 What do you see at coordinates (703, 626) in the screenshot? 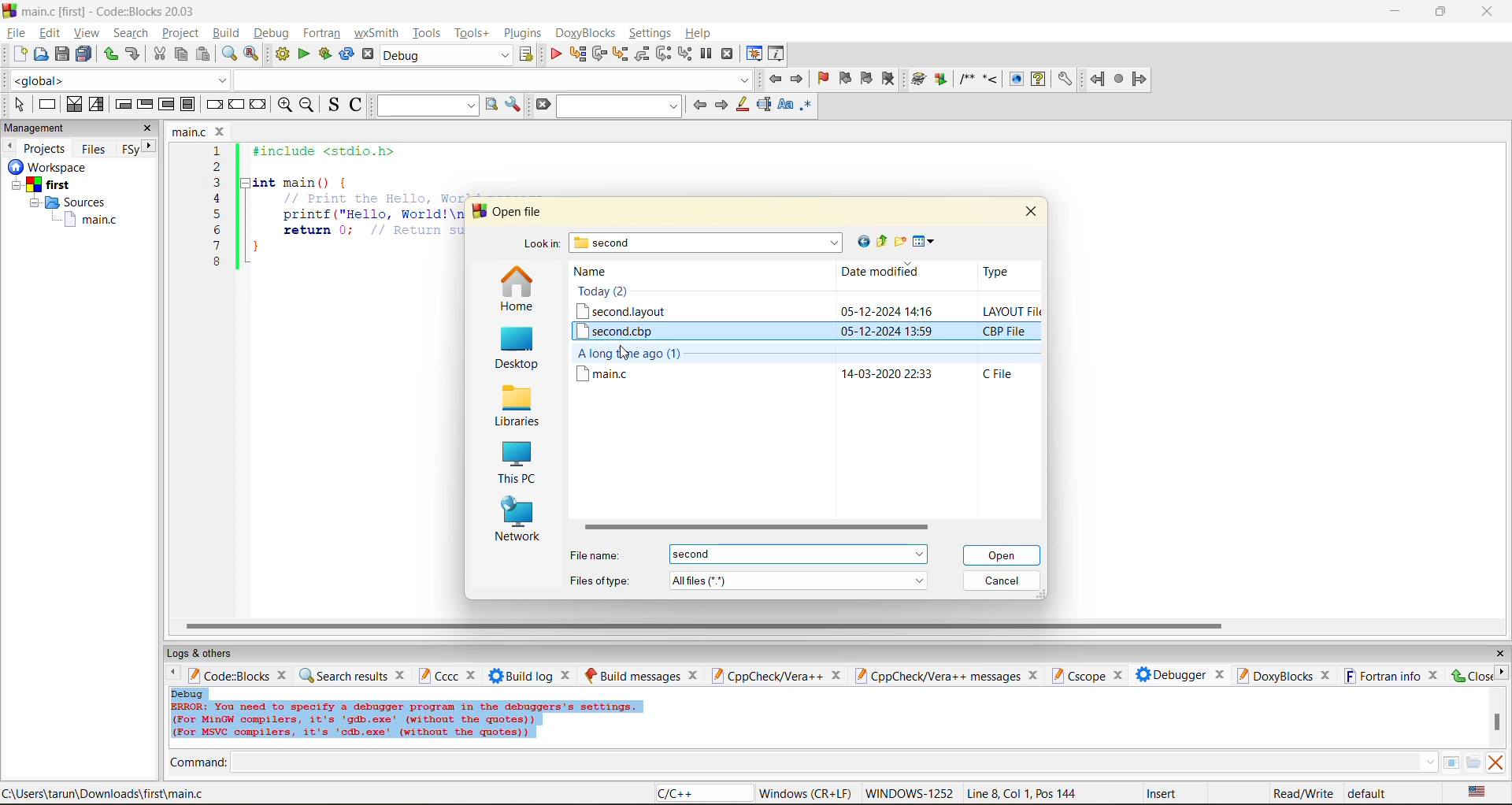
I see `horizontal scroll bar` at bounding box center [703, 626].